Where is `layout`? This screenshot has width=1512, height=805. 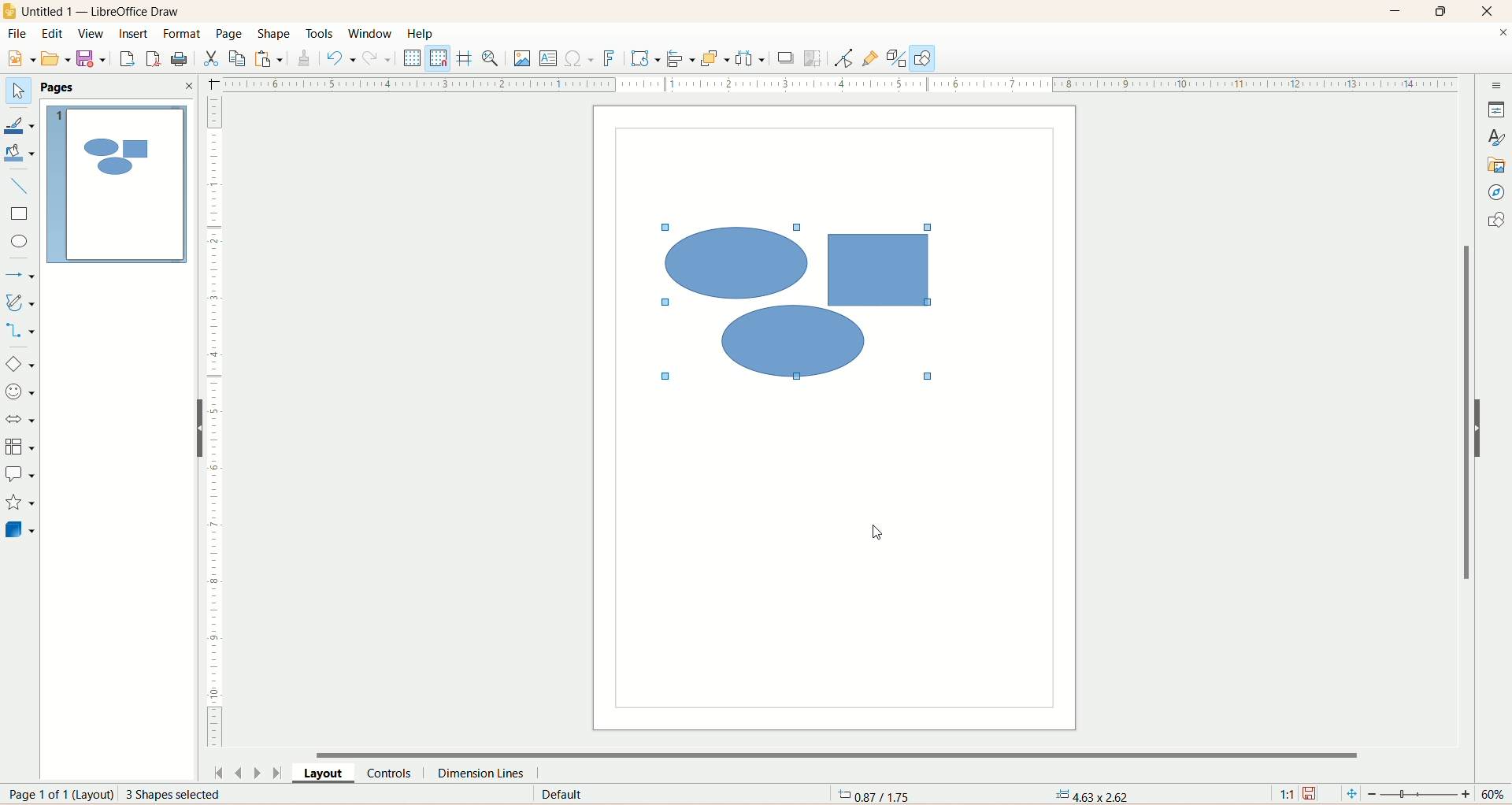 layout is located at coordinates (324, 771).